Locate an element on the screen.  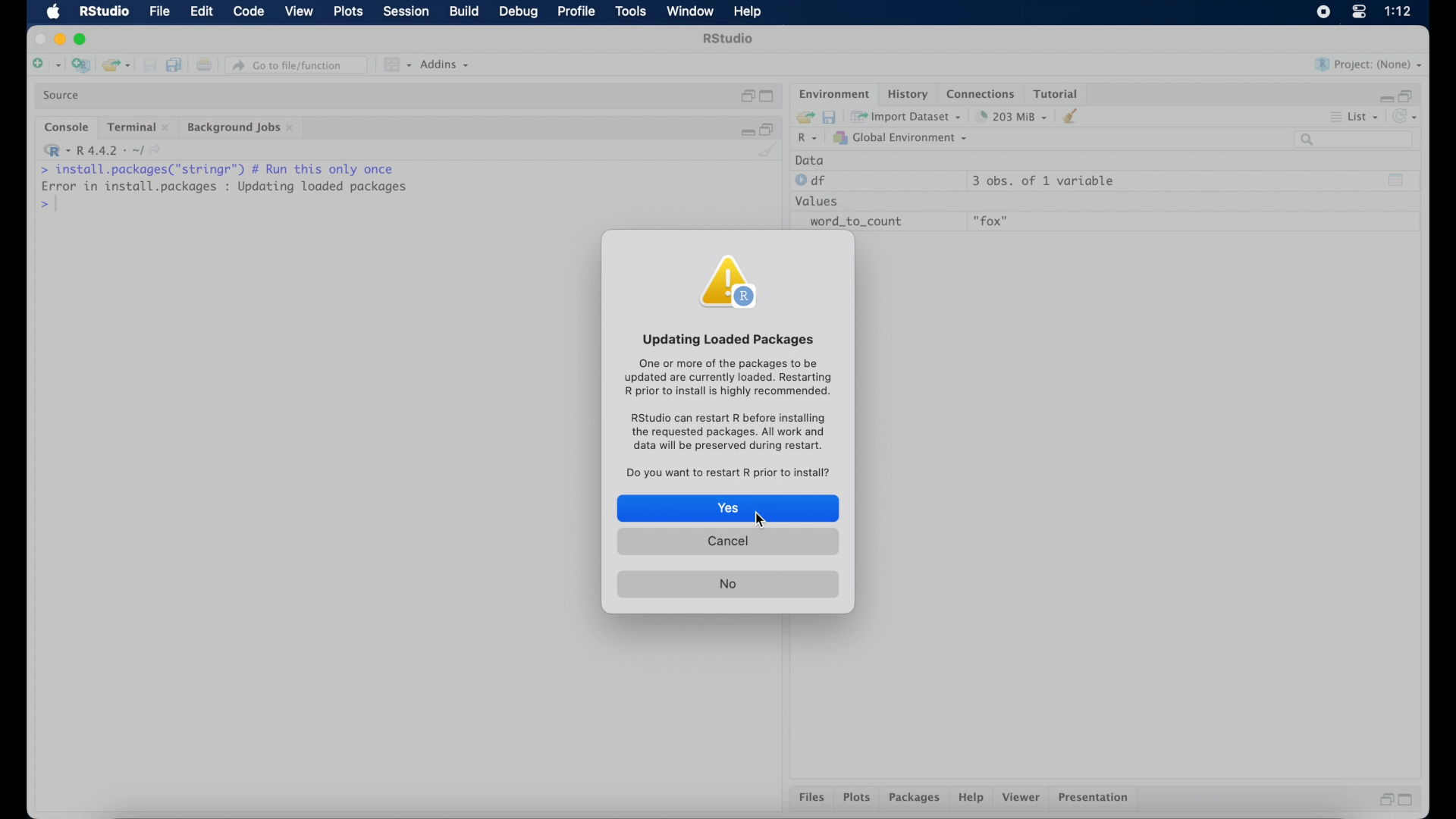
minimize is located at coordinates (1384, 98).